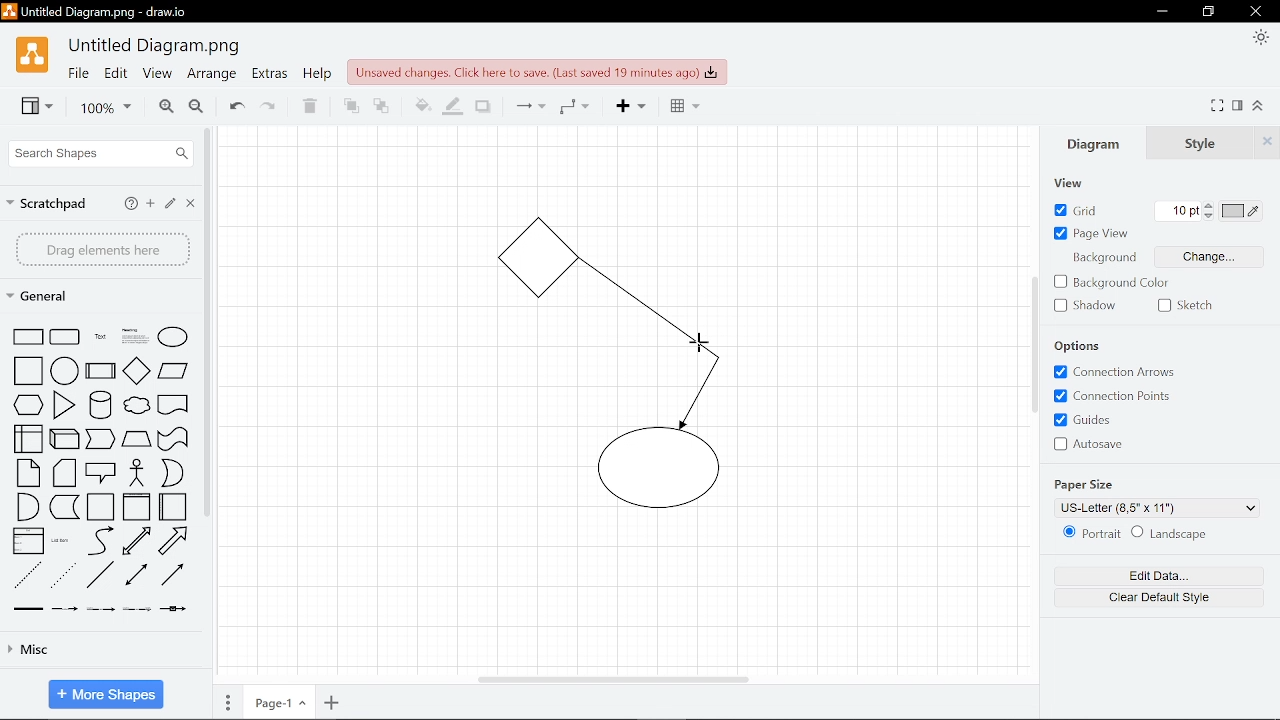  Describe the element at coordinates (382, 105) in the screenshot. I see `To back` at that location.